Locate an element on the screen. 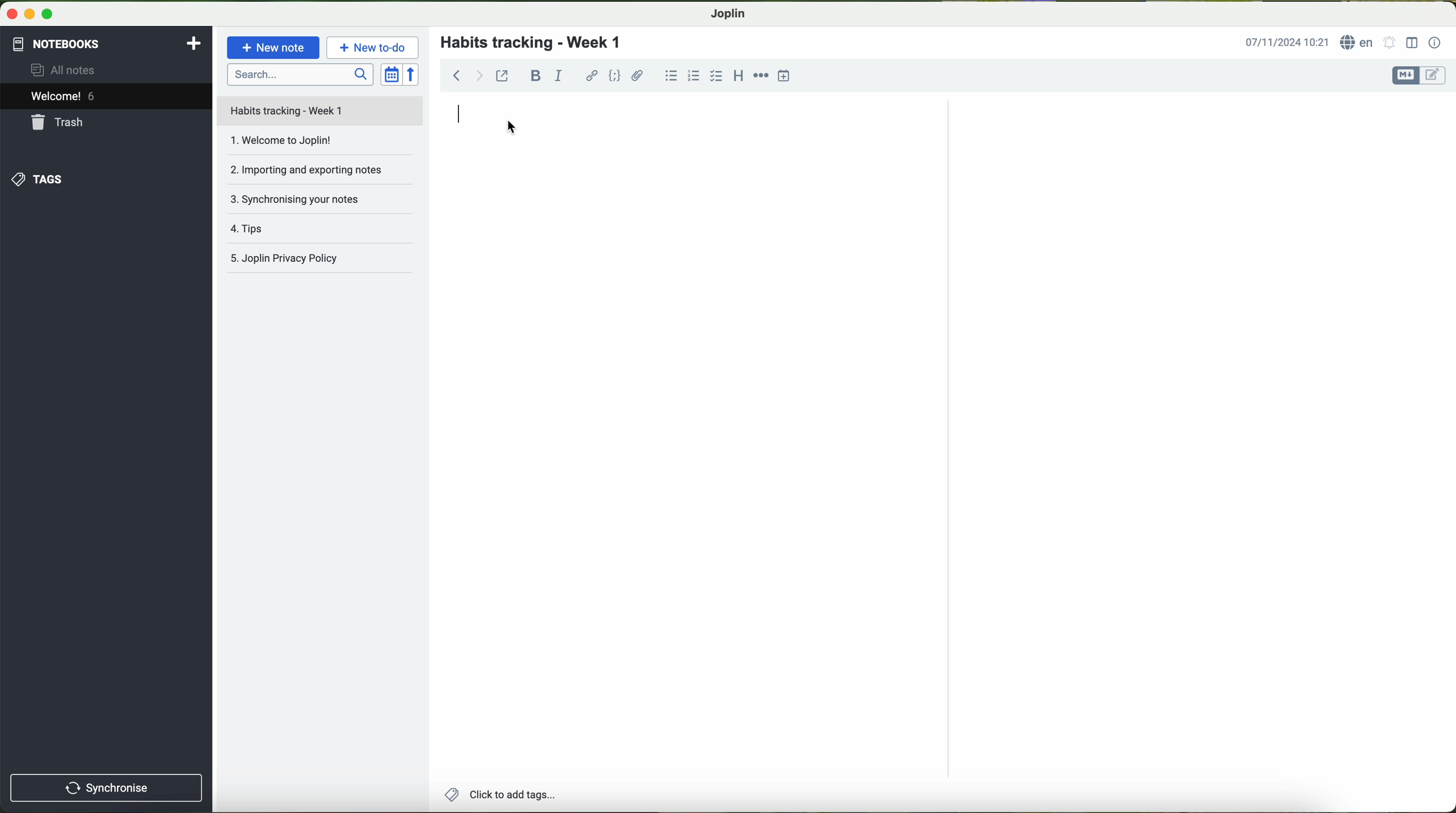 This screenshot has width=1456, height=813. trash is located at coordinates (59, 122).